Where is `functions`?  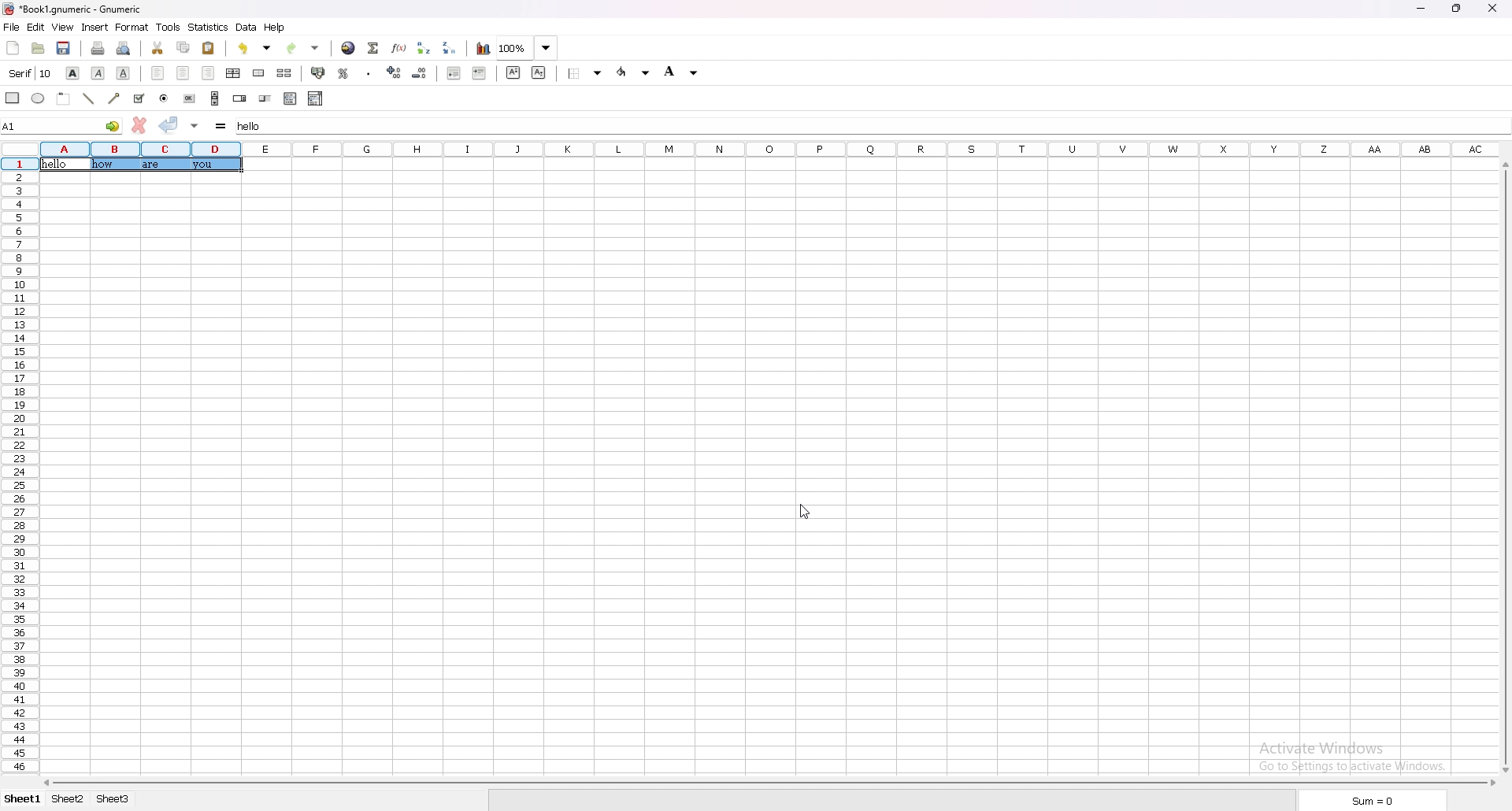 functions is located at coordinates (399, 47).